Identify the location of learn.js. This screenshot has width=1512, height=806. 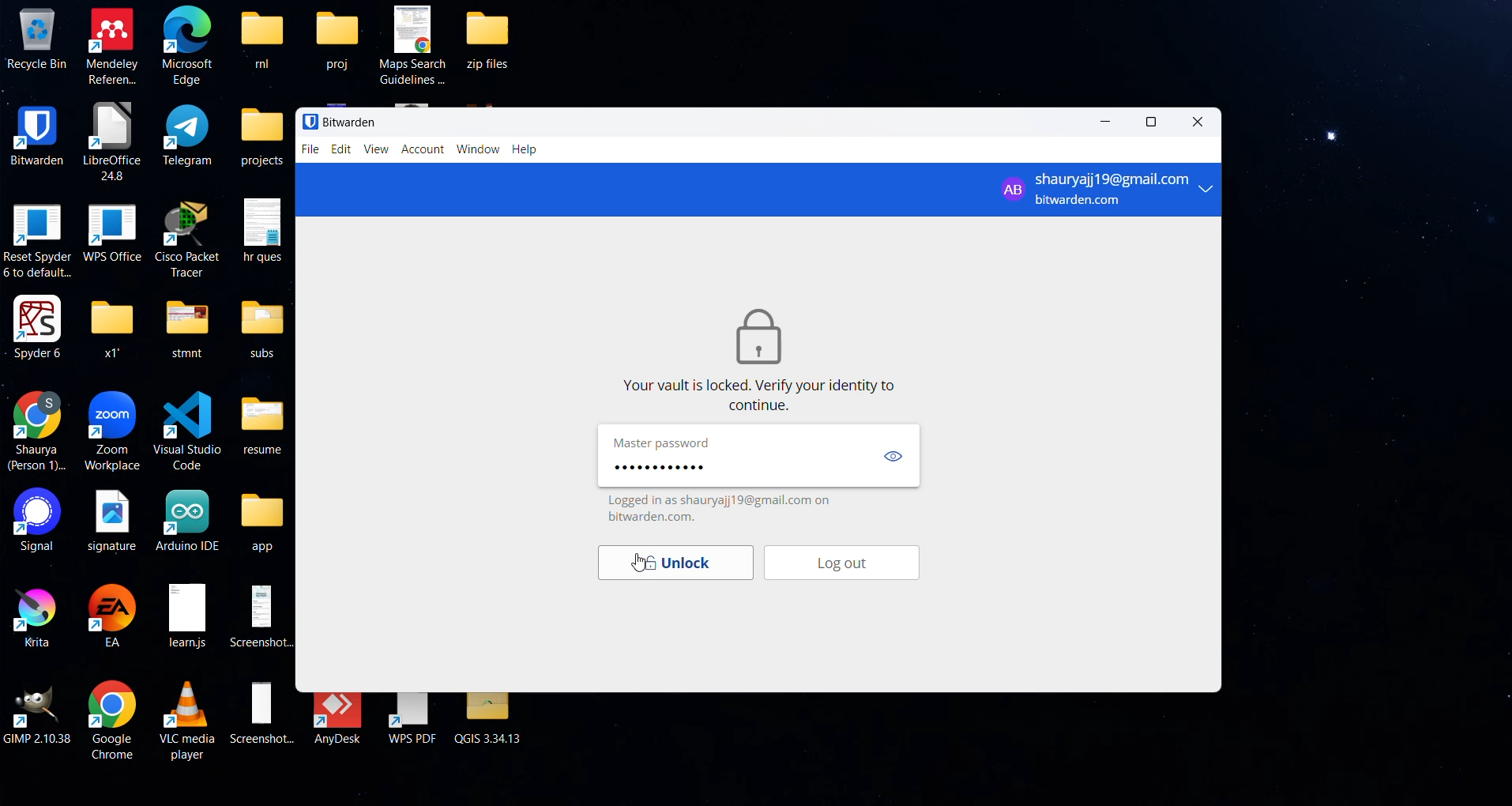
(186, 617).